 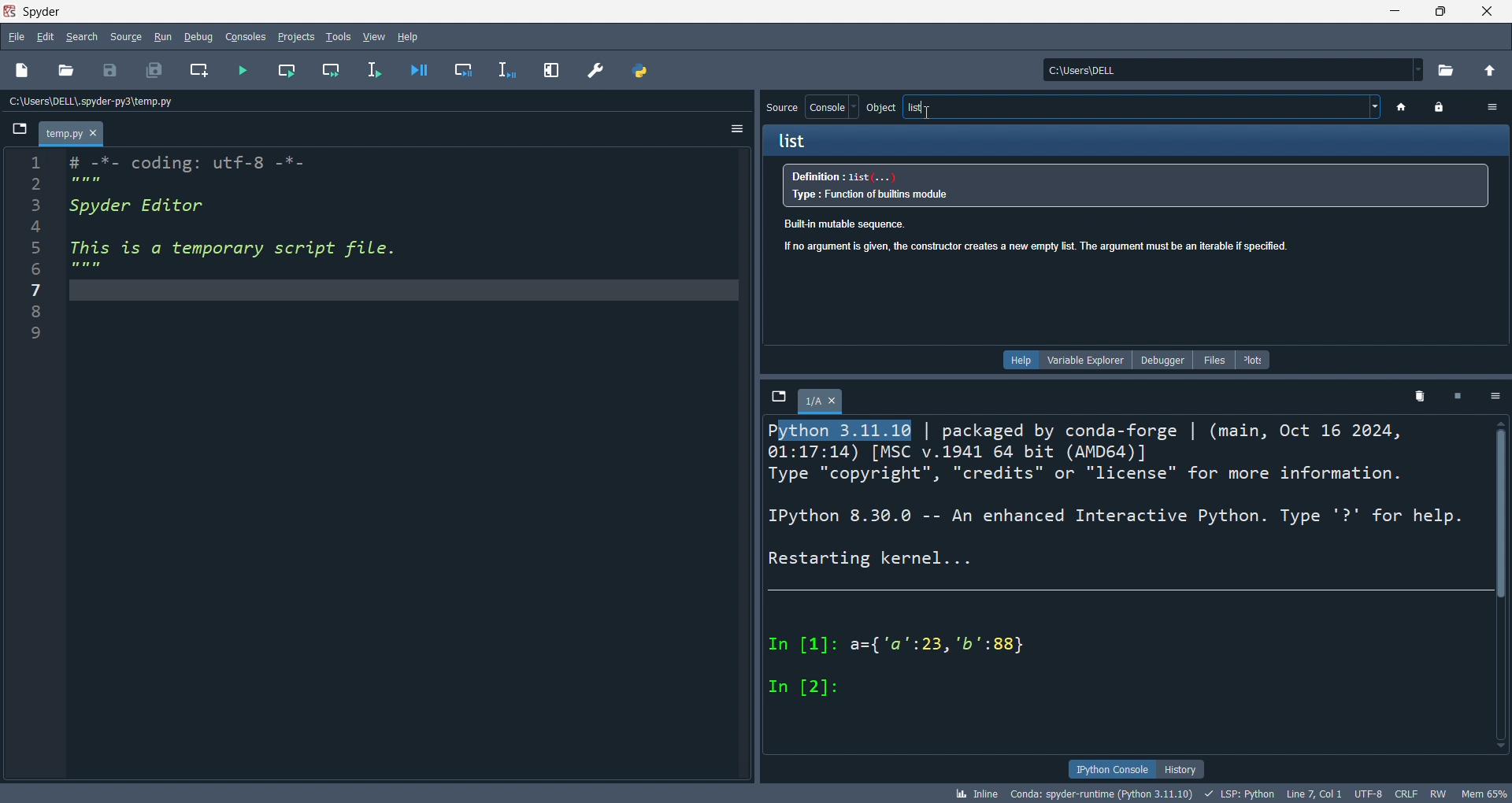 What do you see at coordinates (1441, 793) in the screenshot?
I see `RW` at bounding box center [1441, 793].